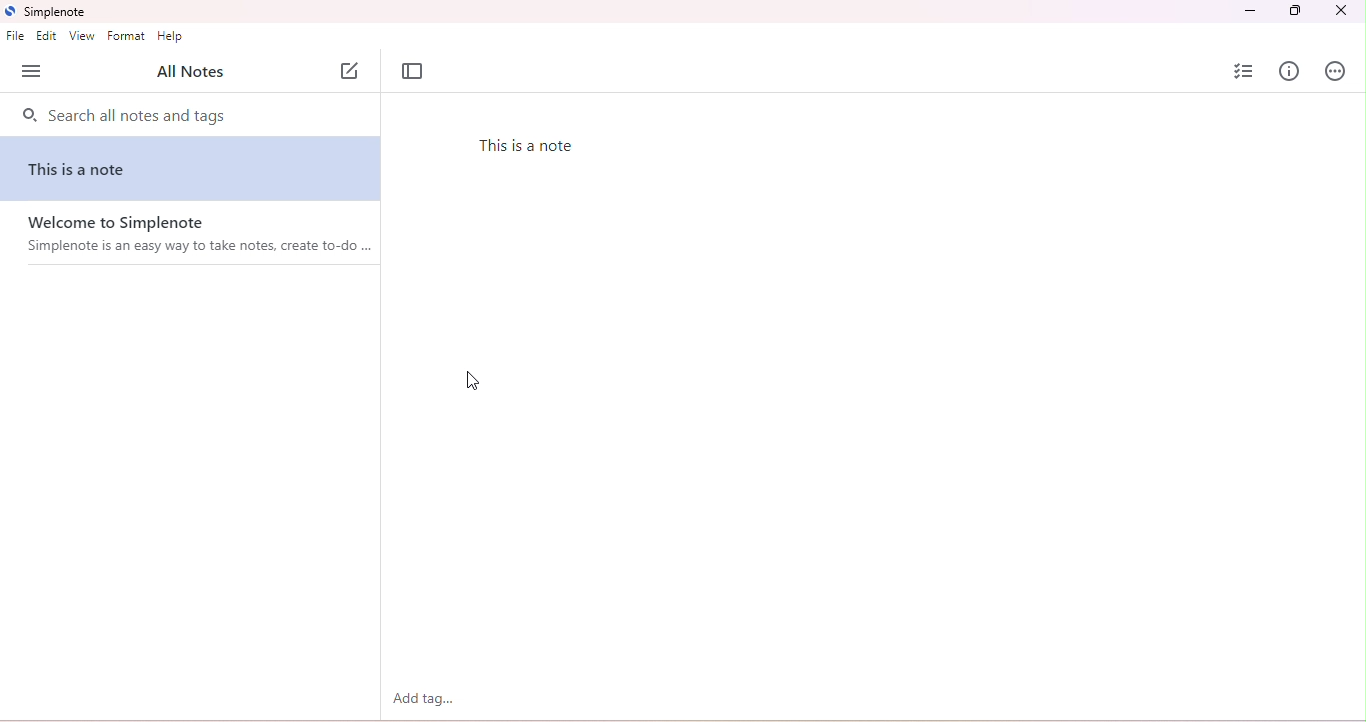 Image resolution: width=1366 pixels, height=722 pixels. What do you see at coordinates (197, 240) in the screenshot?
I see `welcome to simple note` at bounding box center [197, 240].